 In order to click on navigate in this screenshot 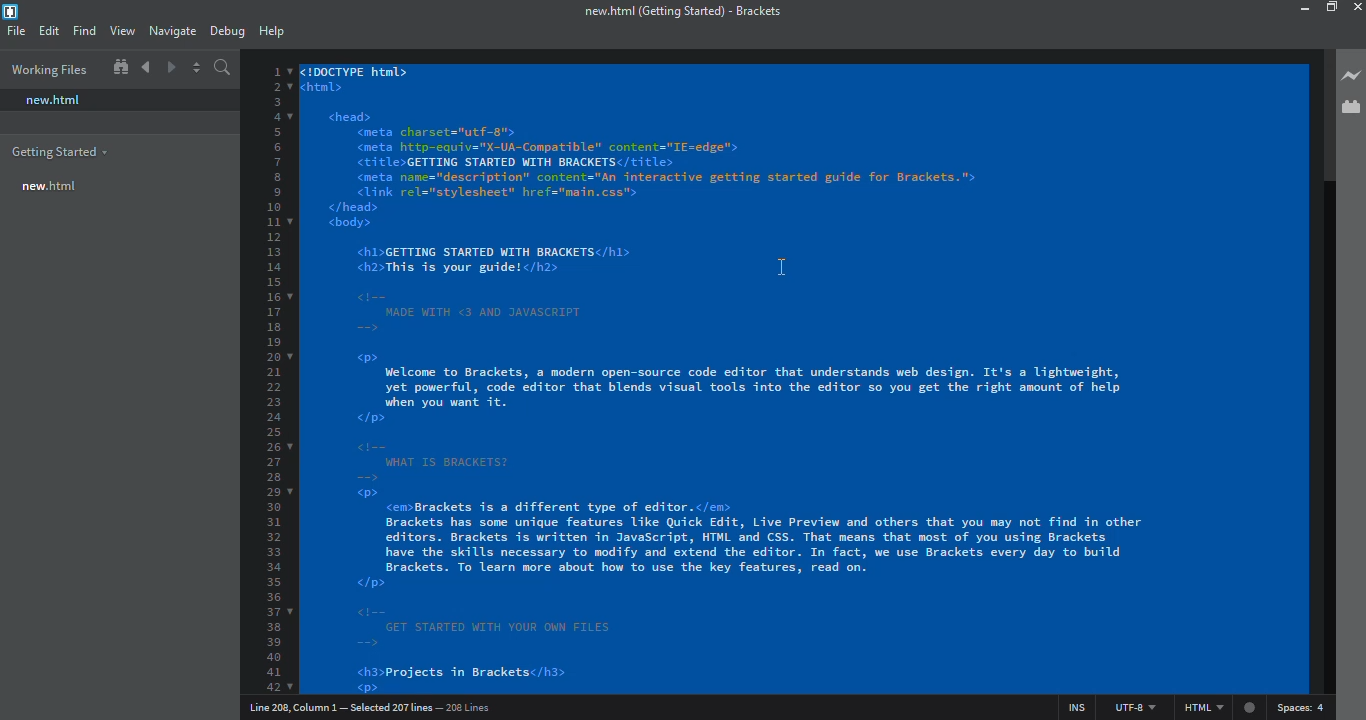, I will do `click(176, 31)`.